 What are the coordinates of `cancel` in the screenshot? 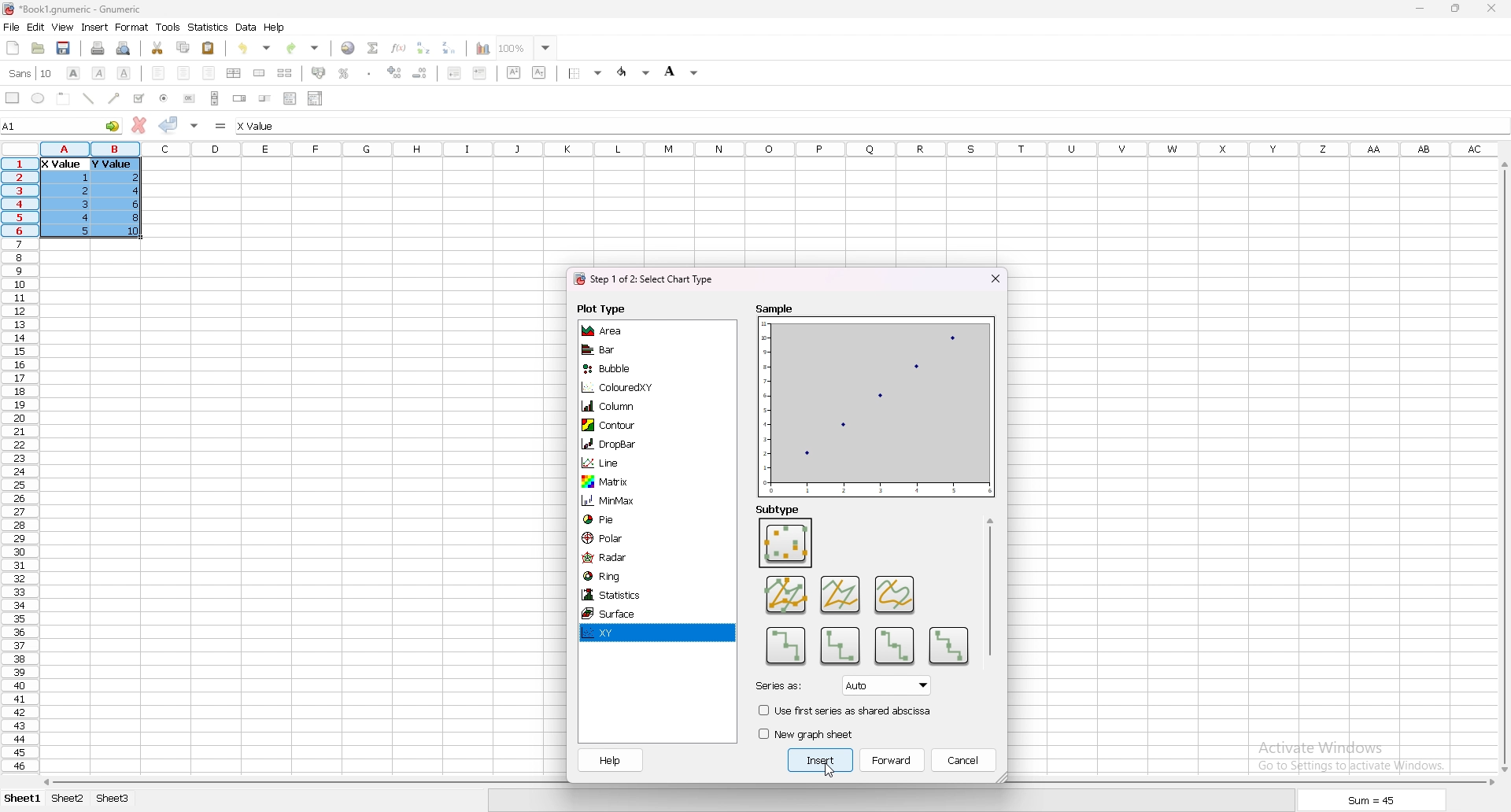 It's located at (966, 761).